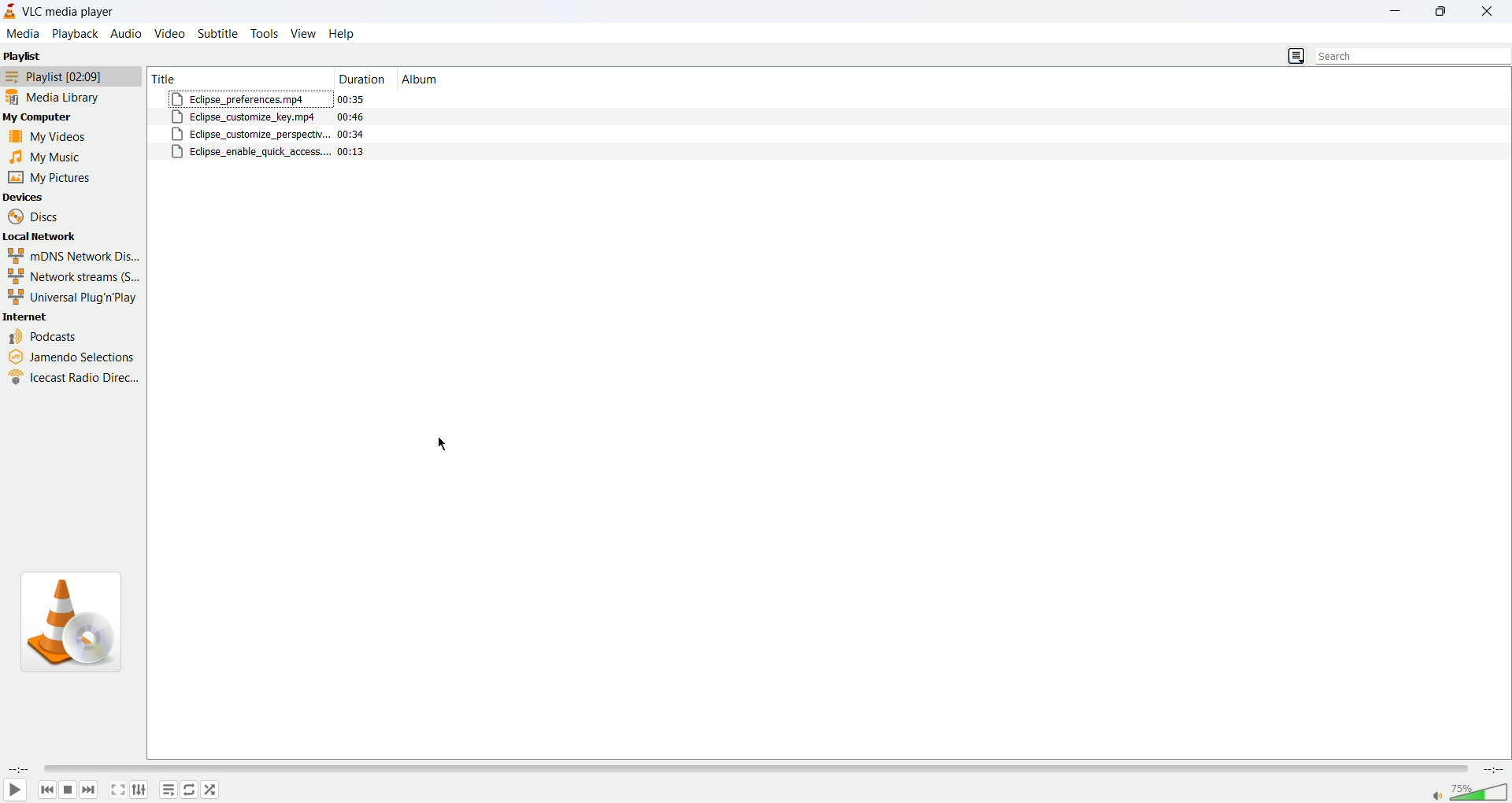 Image resolution: width=1512 pixels, height=803 pixels. Describe the element at coordinates (1450, 13) in the screenshot. I see `maximize` at that location.